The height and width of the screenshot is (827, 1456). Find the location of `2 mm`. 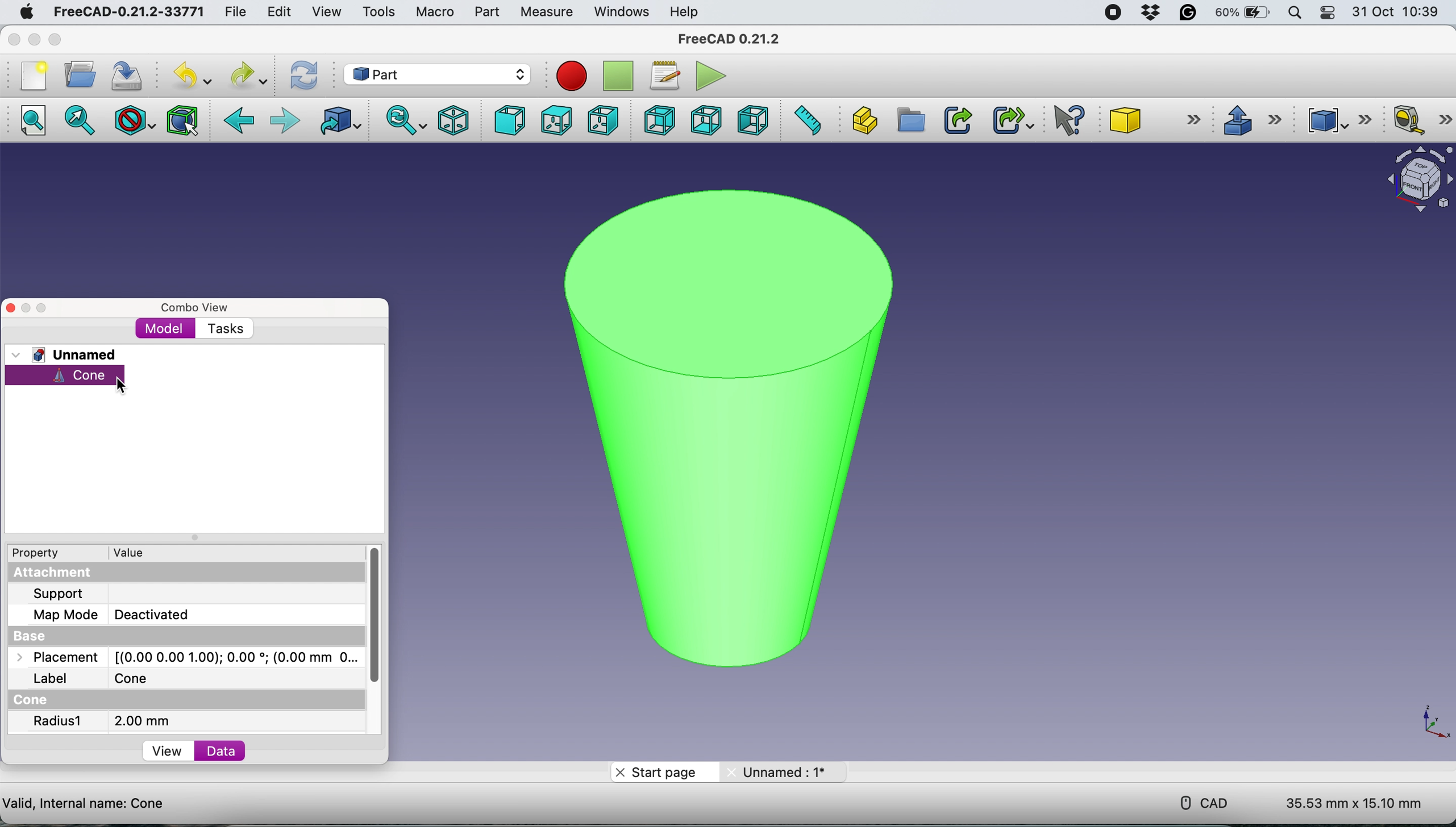

2 mm is located at coordinates (142, 721).